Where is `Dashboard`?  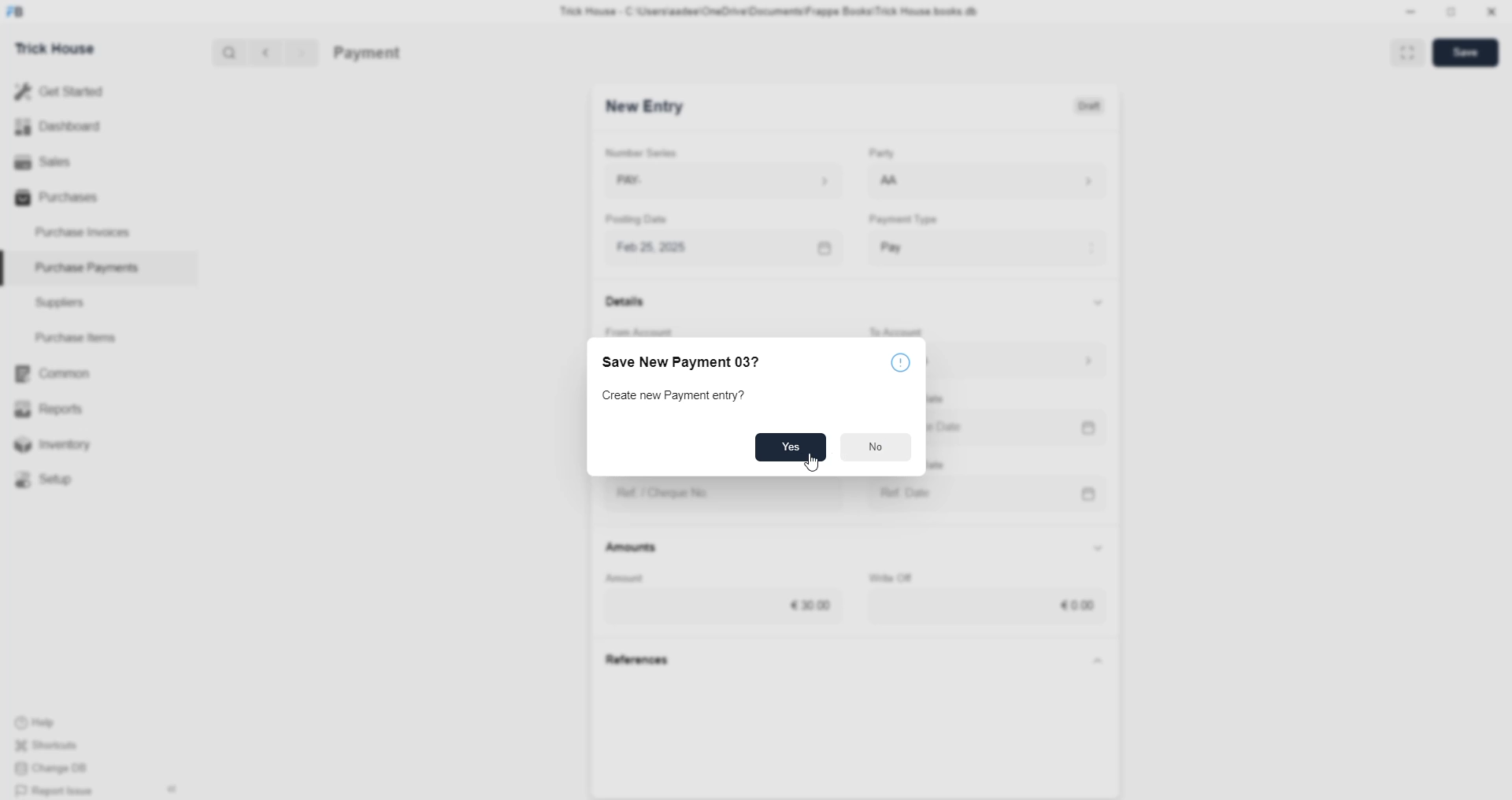
Dashboard is located at coordinates (61, 126).